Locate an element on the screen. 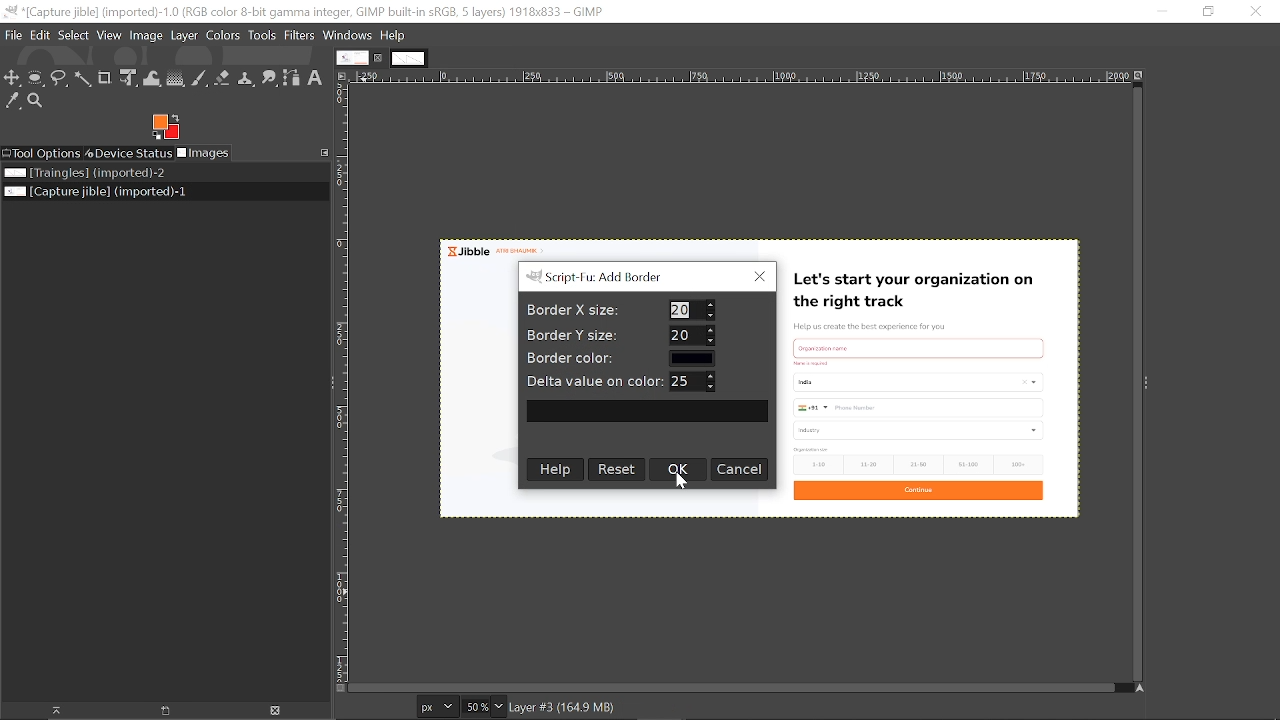 This screenshot has width=1280, height=720. Vertical label is located at coordinates (345, 381).